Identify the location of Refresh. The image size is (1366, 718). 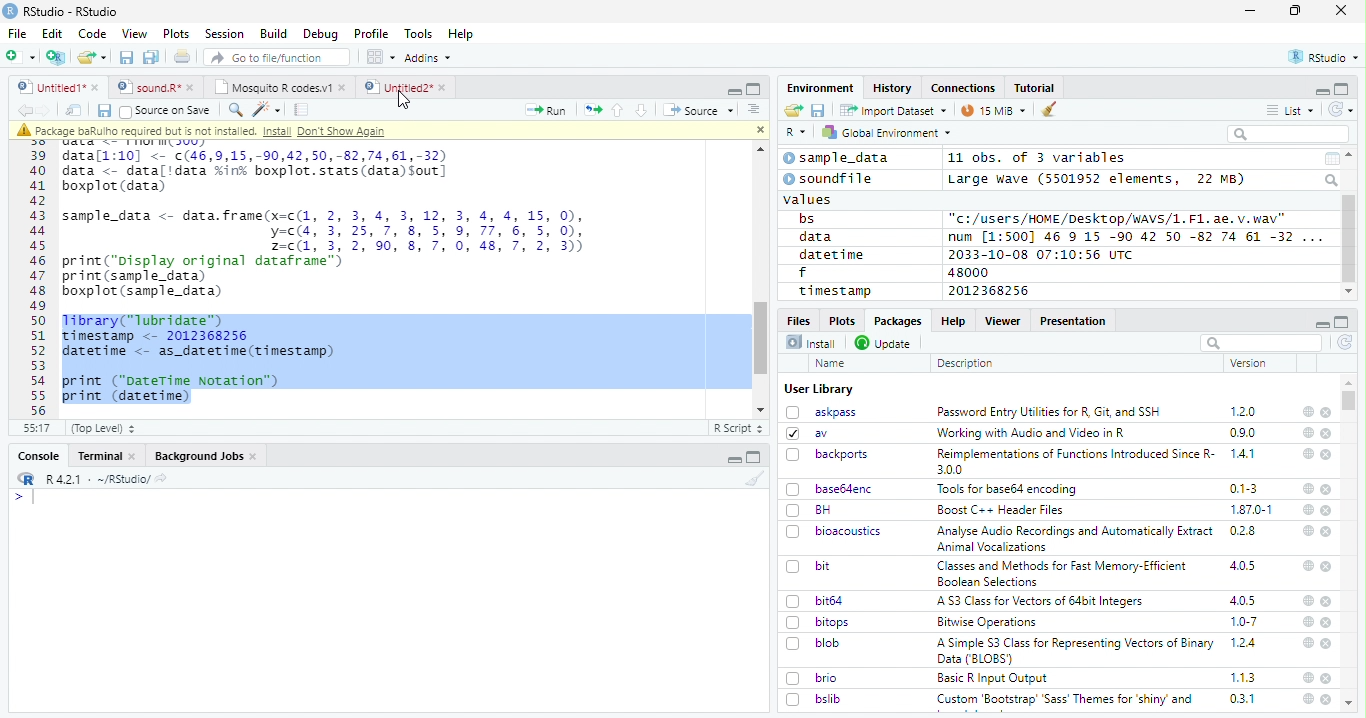
(1342, 109).